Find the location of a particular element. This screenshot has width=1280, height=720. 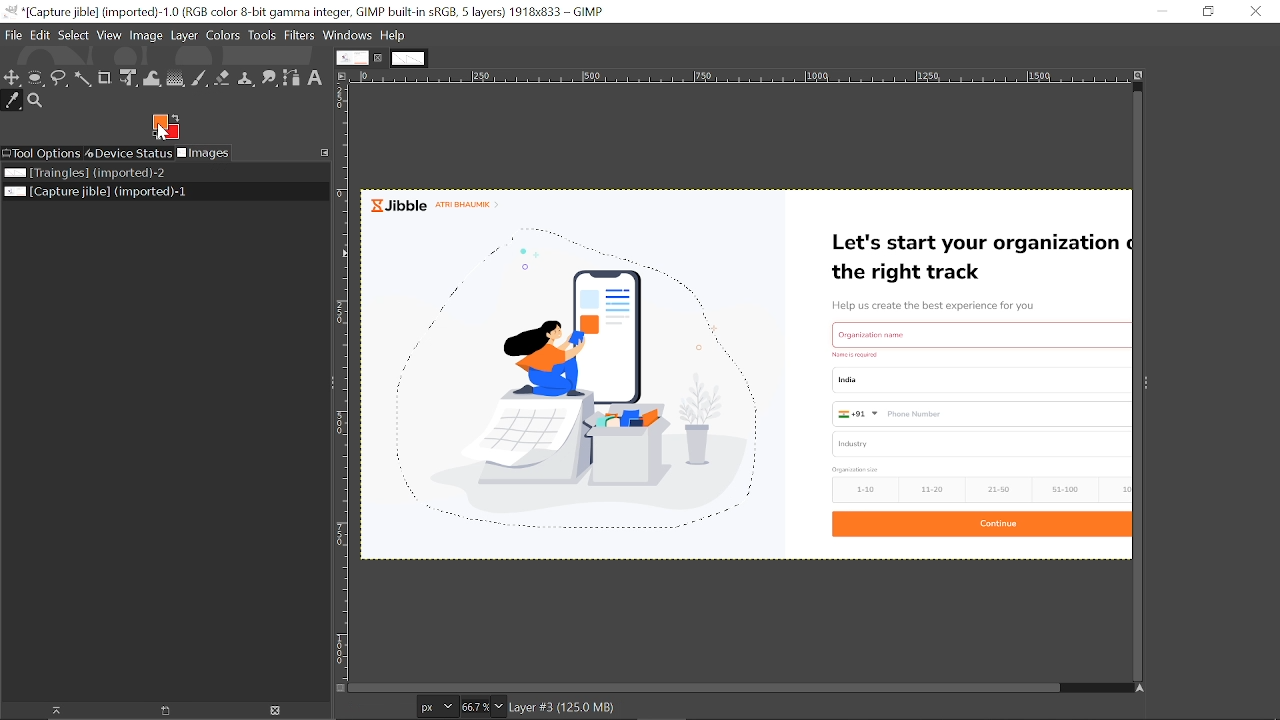

Foreground tool is located at coordinates (166, 127).